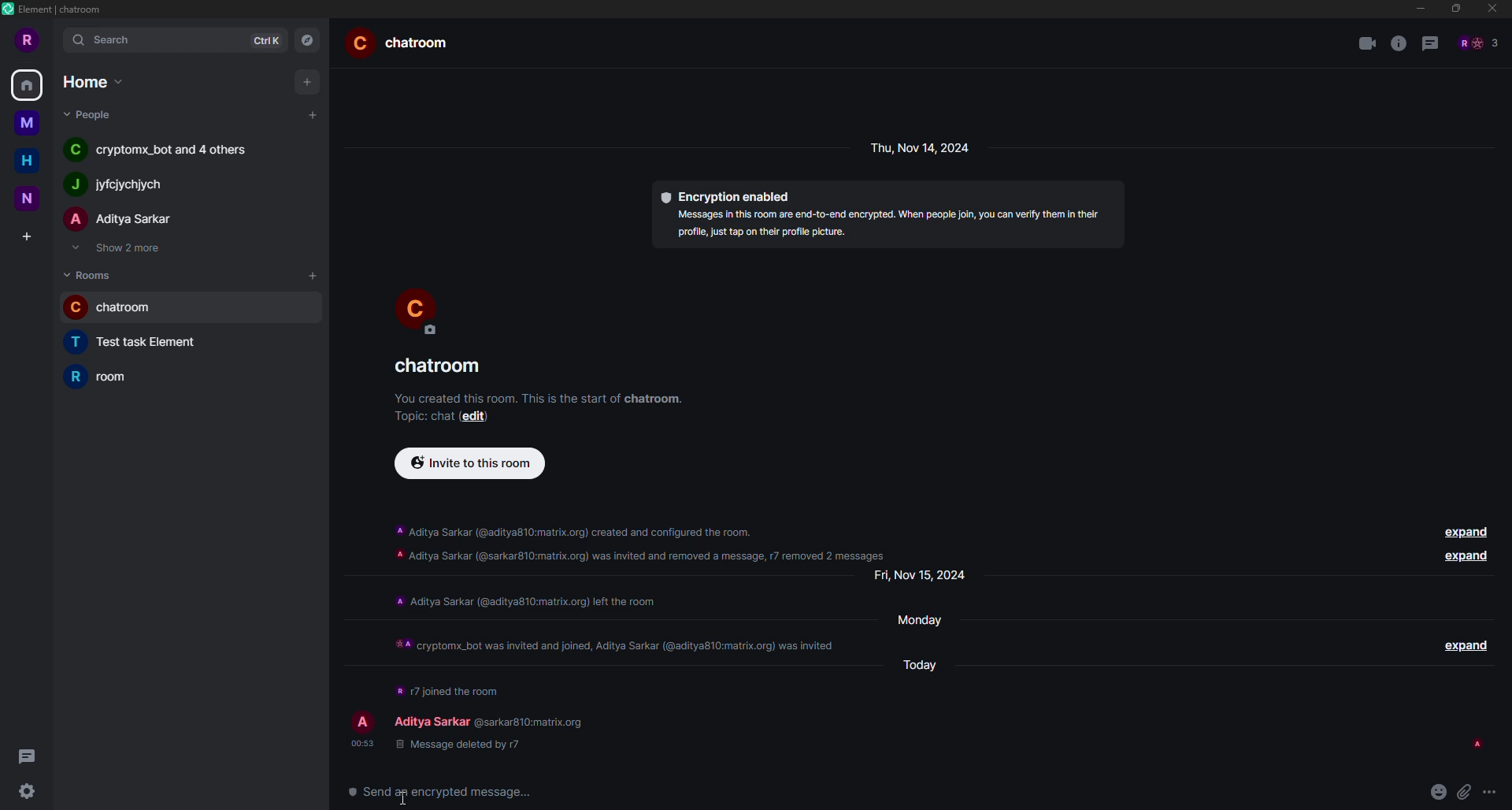 The width and height of the screenshot is (1512, 810). What do you see at coordinates (91, 274) in the screenshot?
I see `rooms` at bounding box center [91, 274].